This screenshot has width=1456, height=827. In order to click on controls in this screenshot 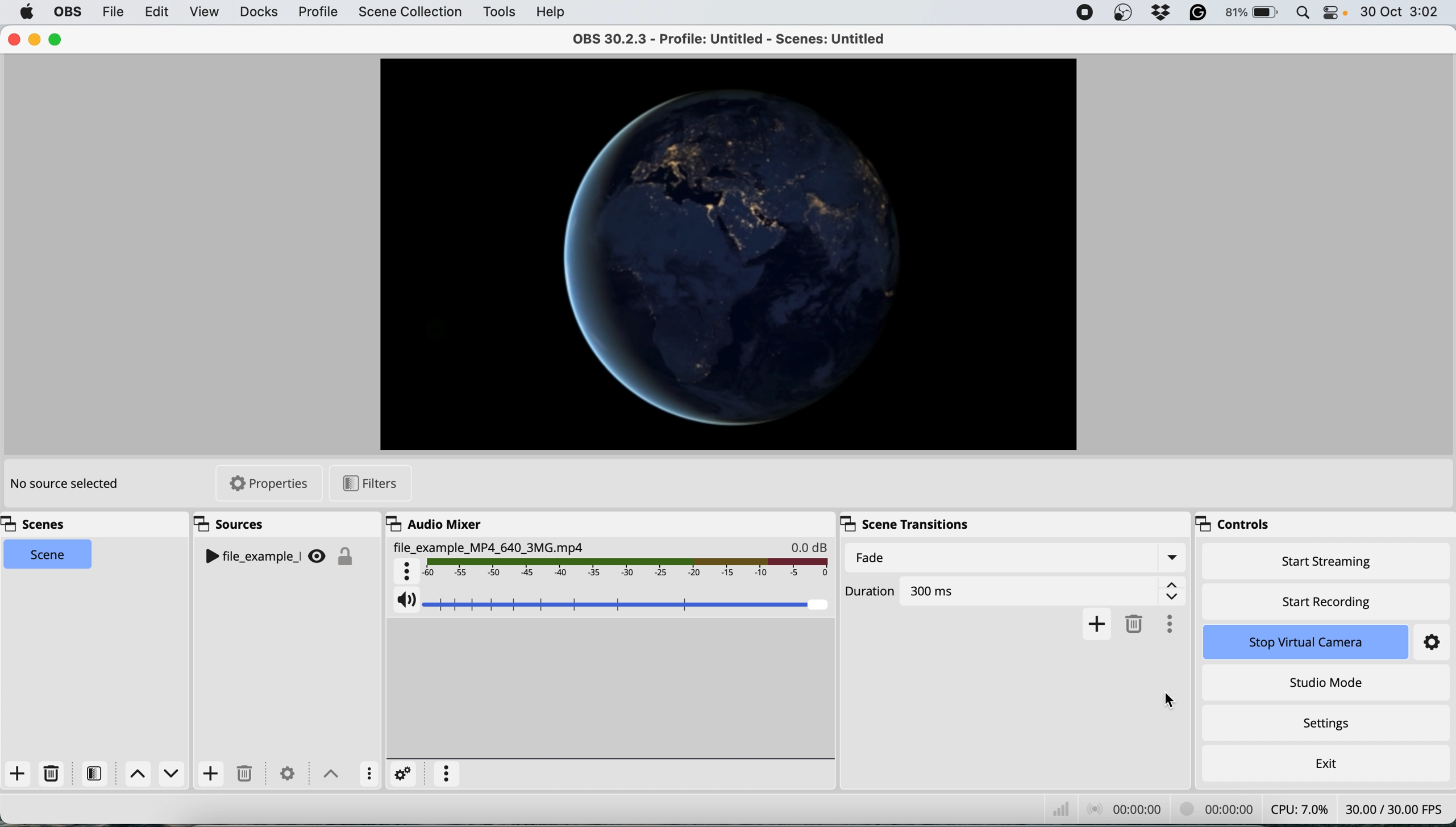, I will do `click(1232, 523)`.